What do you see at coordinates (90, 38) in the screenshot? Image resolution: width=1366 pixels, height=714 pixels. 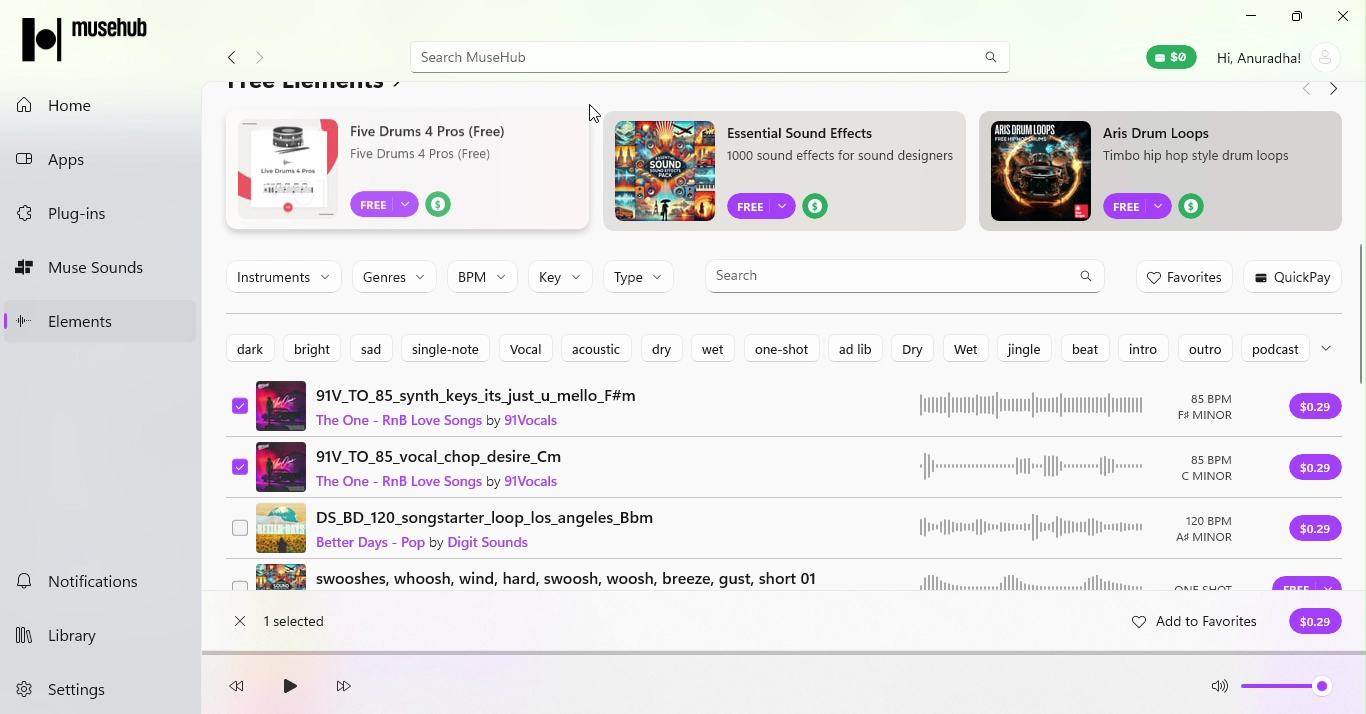 I see `MuseHub logo` at bounding box center [90, 38].